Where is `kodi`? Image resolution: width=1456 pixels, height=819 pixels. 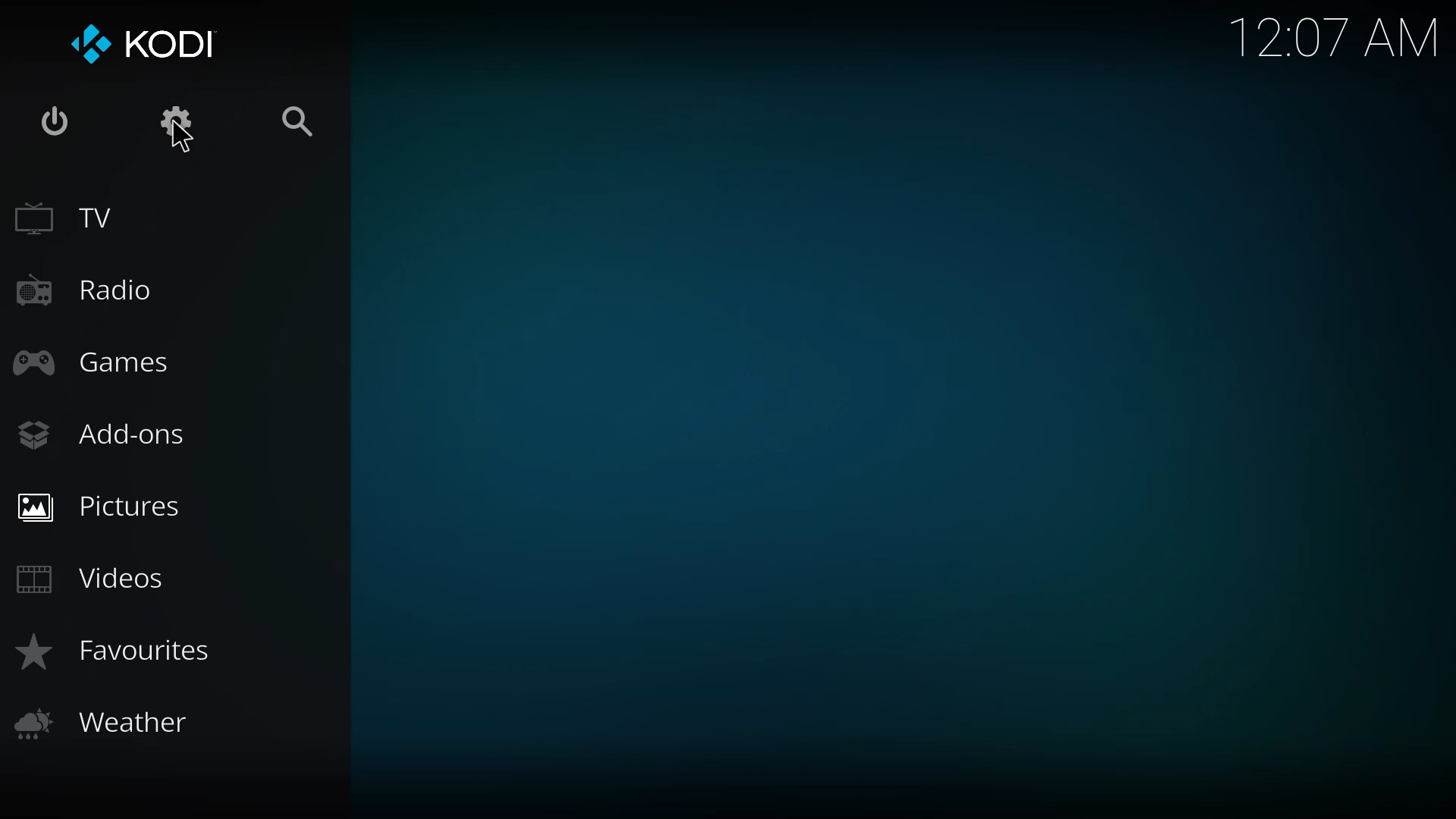 kodi is located at coordinates (141, 45).